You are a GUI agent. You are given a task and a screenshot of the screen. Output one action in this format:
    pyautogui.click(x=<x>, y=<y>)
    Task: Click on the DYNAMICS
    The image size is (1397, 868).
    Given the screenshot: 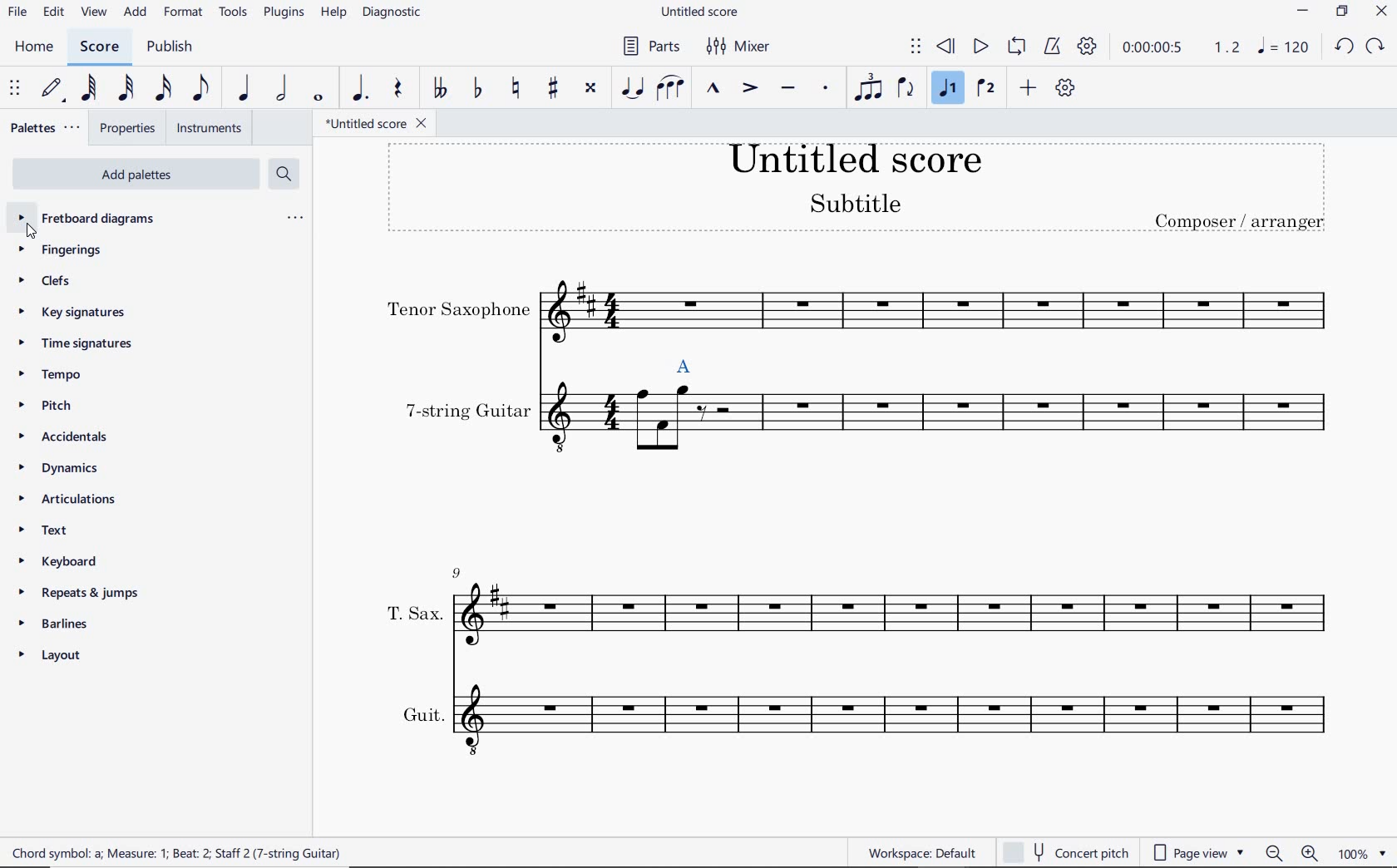 What is the action you would take?
    pyautogui.click(x=73, y=467)
    